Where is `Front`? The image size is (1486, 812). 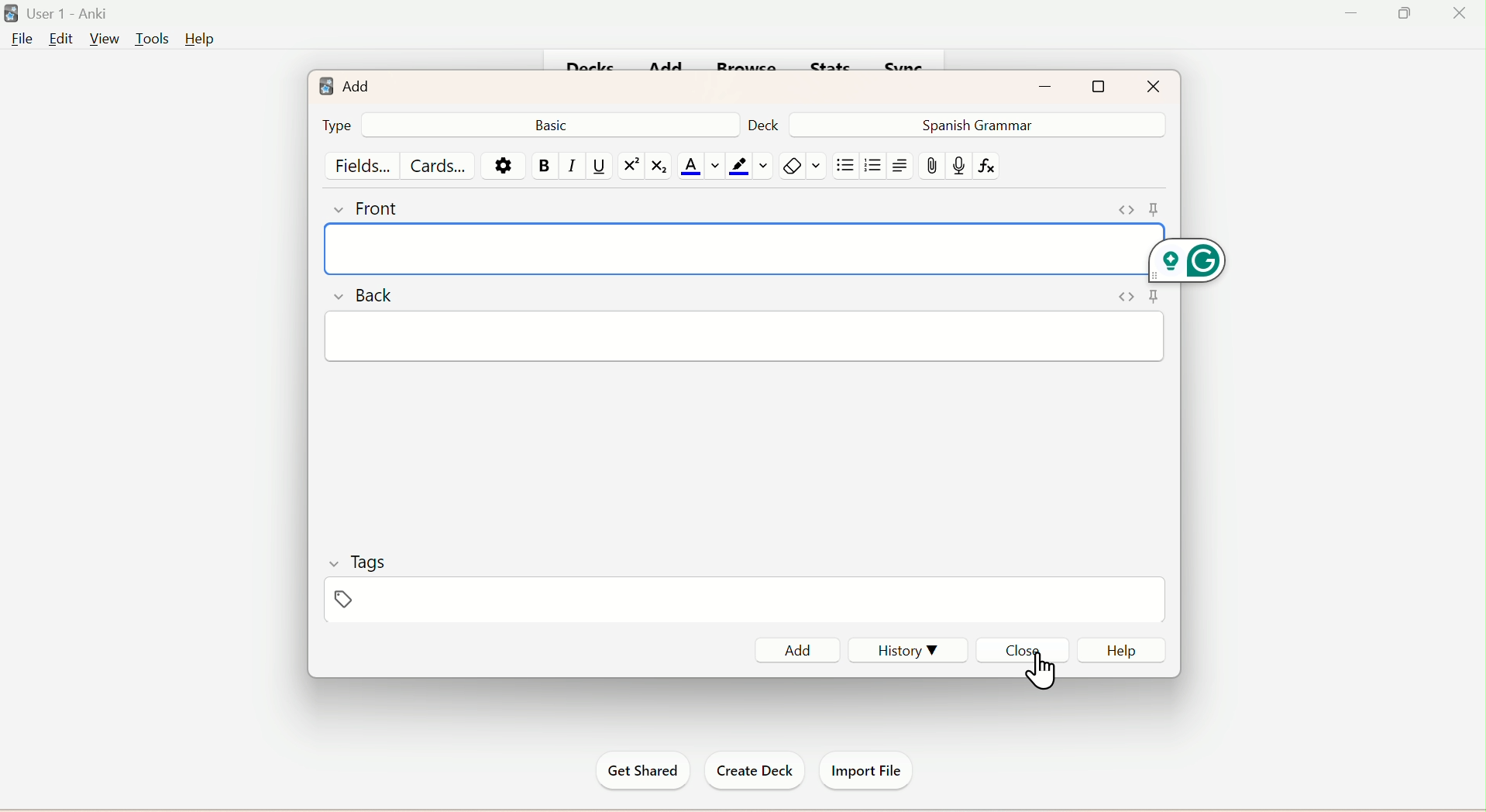
Front is located at coordinates (370, 207).